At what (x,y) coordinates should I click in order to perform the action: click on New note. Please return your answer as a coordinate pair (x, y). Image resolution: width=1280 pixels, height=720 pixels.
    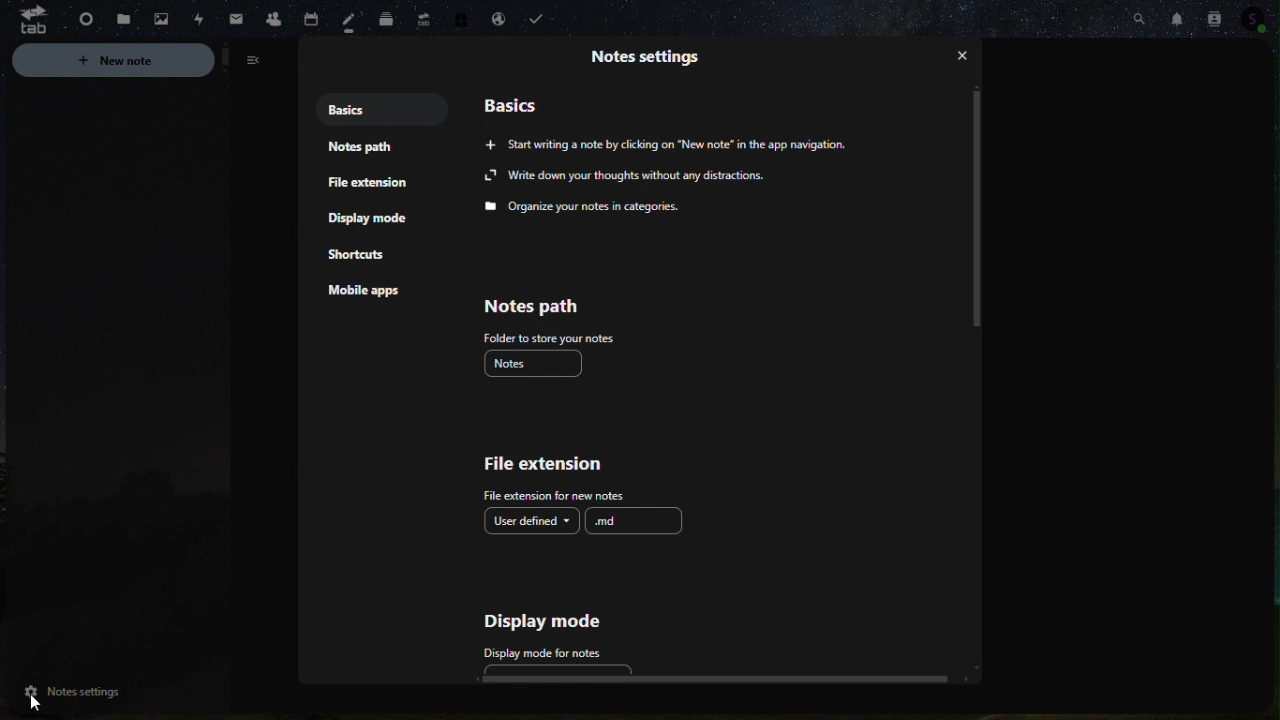
    Looking at the image, I should click on (136, 61).